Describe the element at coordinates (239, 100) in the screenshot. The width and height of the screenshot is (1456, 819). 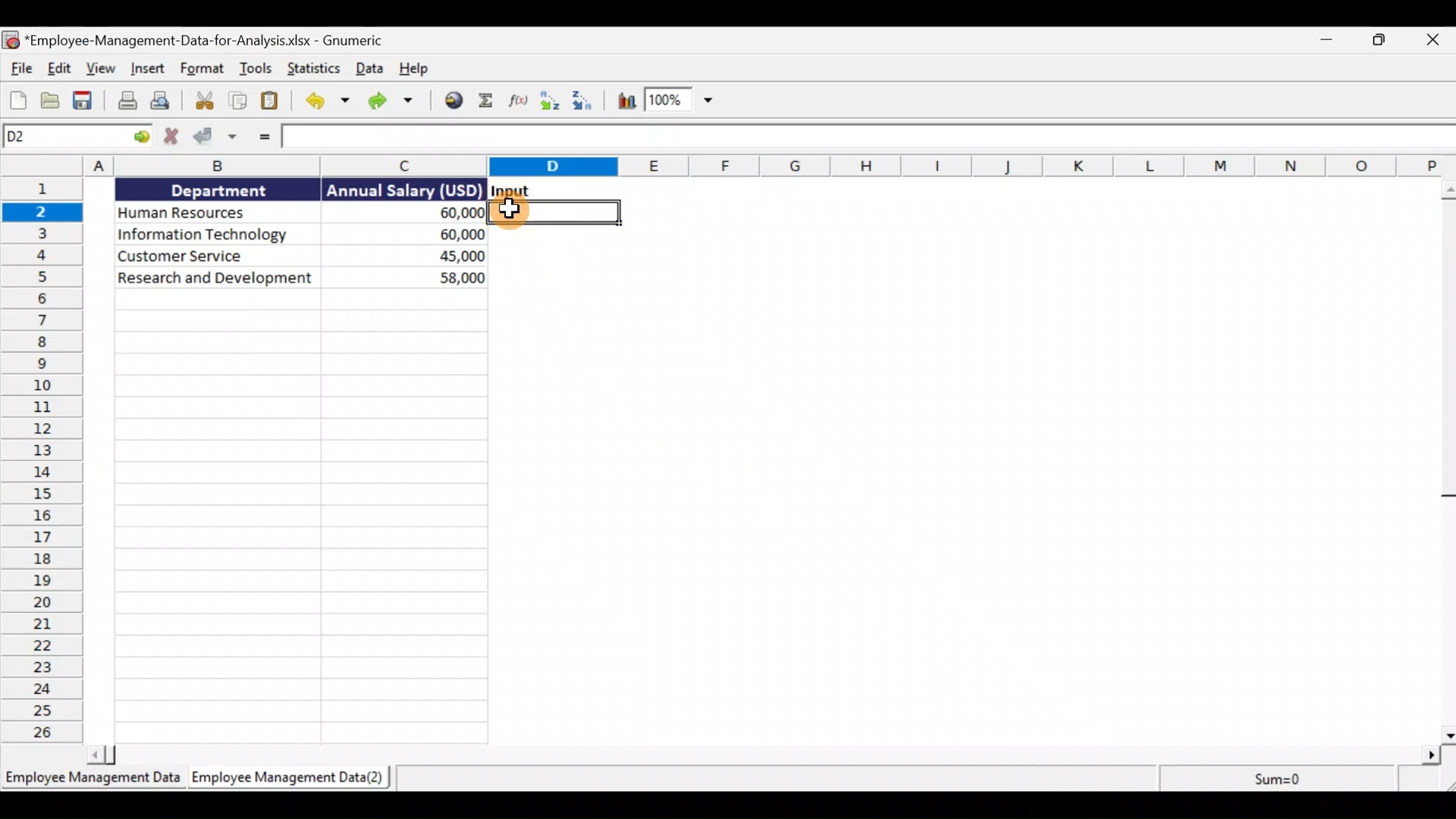
I see `Copy the selection` at that location.